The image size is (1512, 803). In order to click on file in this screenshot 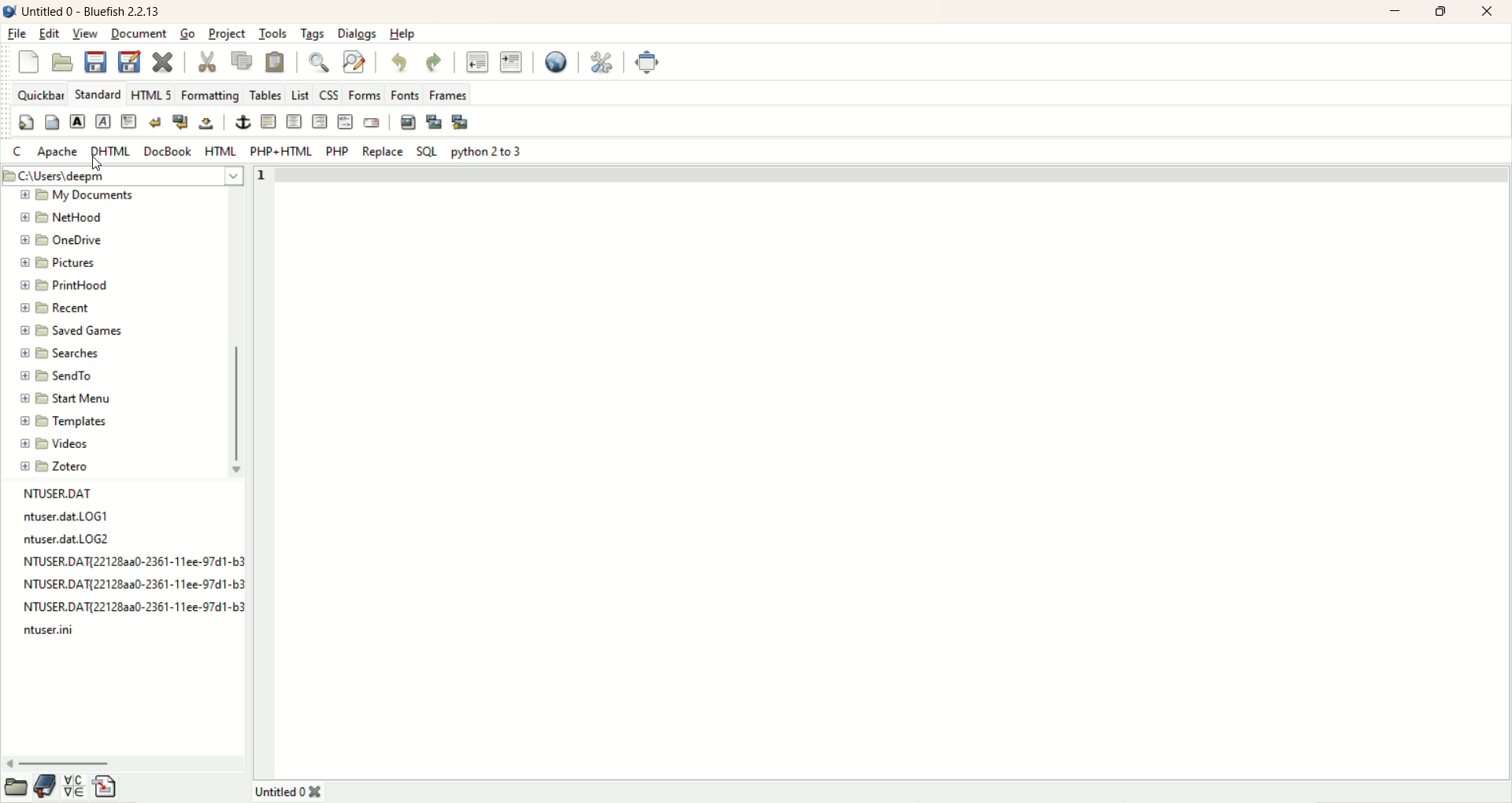, I will do `click(114, 491)`.